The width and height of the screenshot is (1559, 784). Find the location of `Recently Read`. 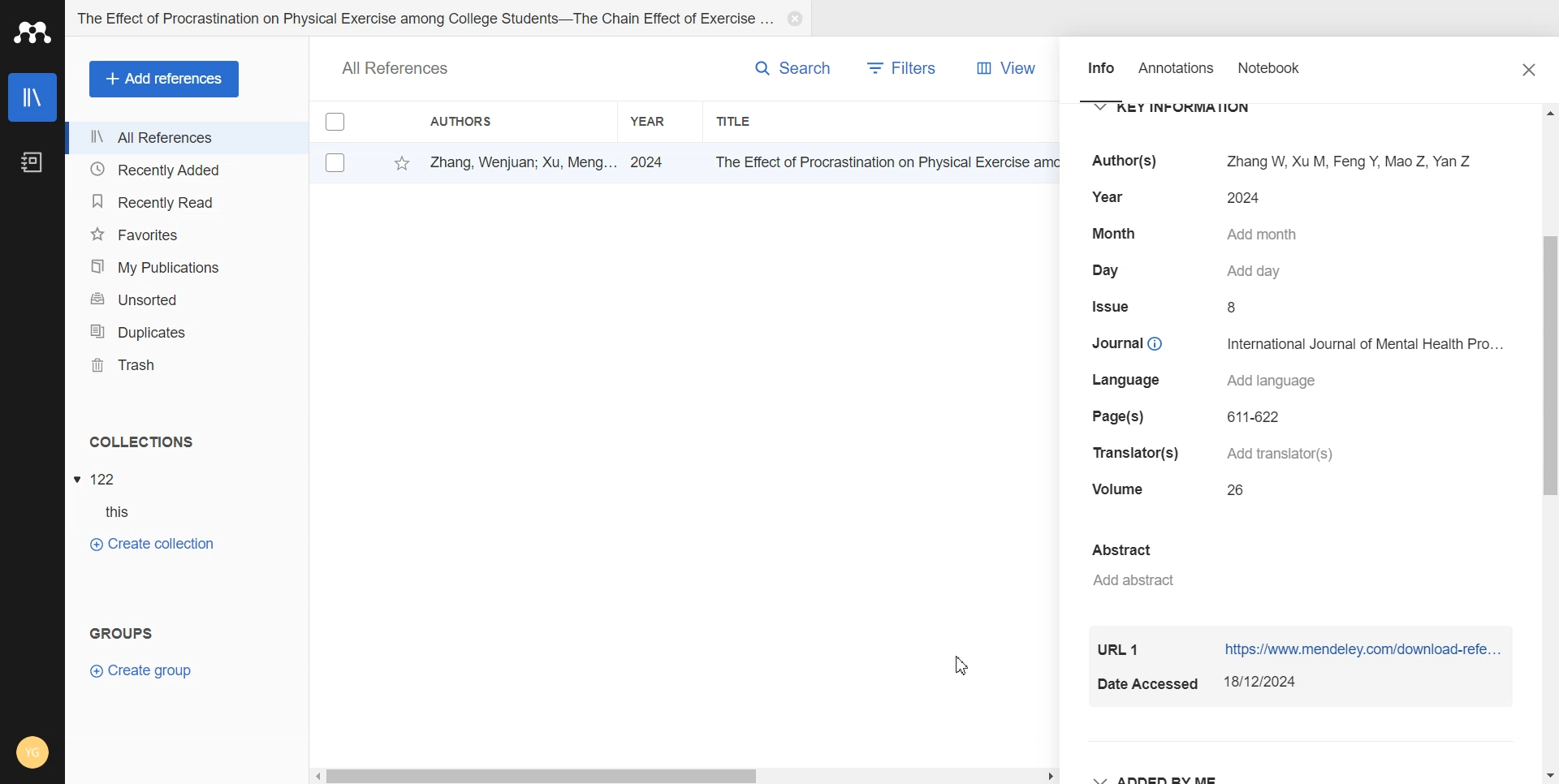

Recently Read is located at coordinates (186, 200).